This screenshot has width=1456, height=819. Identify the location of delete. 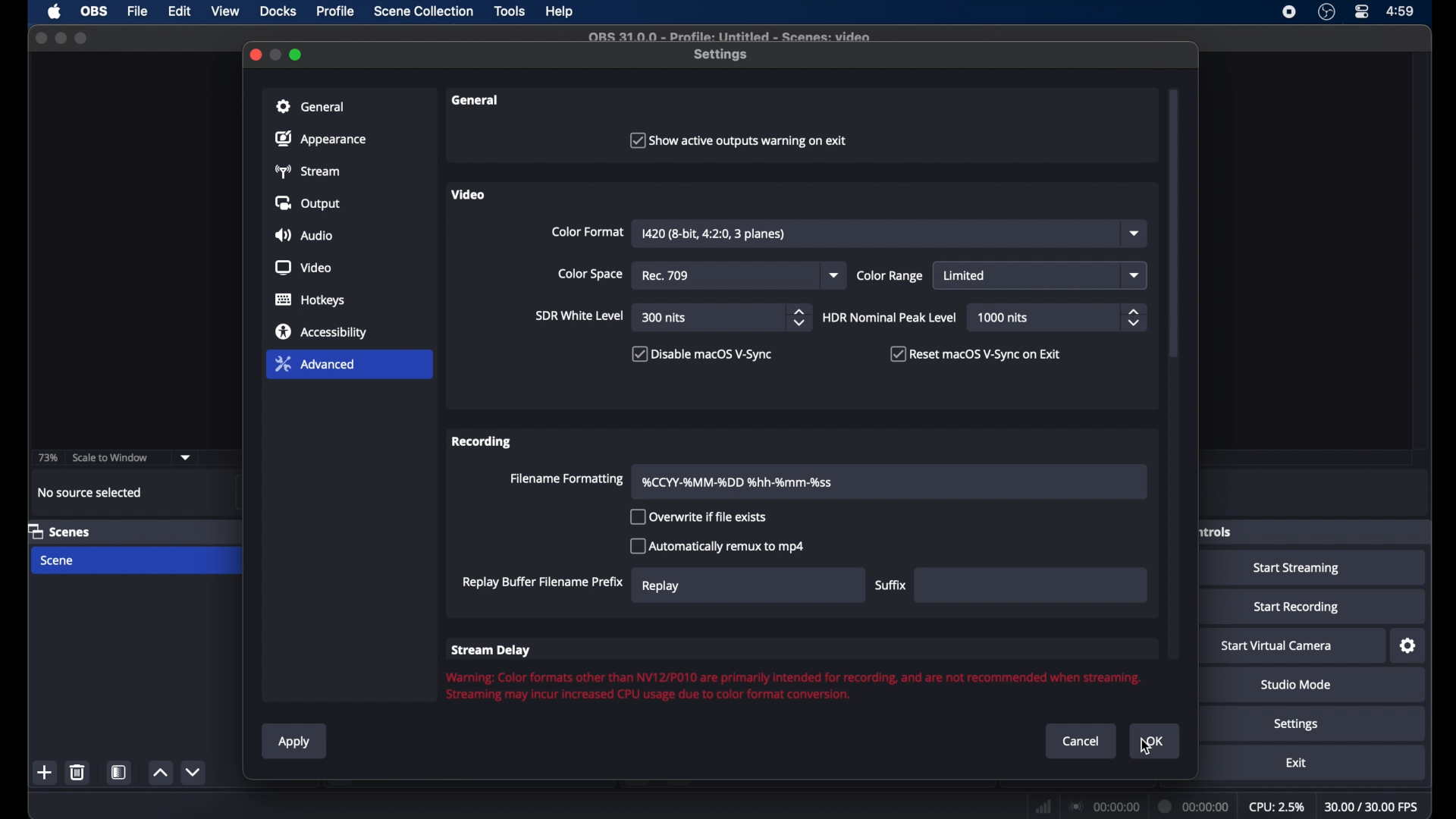
(78, 772).